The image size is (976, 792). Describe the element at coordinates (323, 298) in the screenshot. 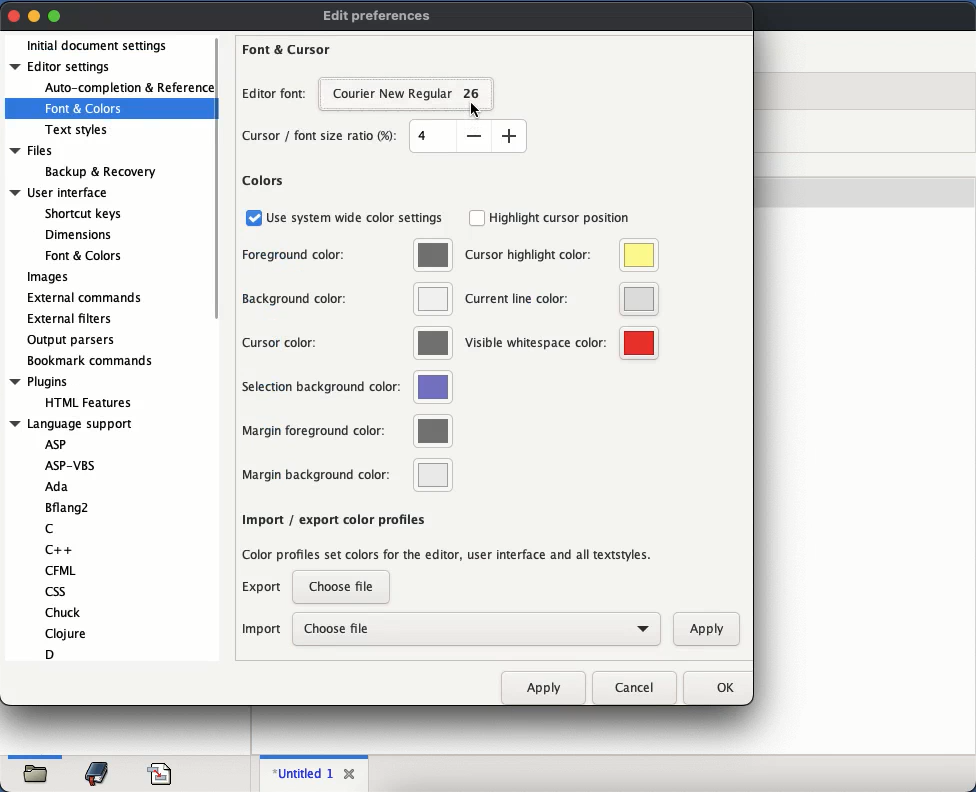

I see `background color` at that location.